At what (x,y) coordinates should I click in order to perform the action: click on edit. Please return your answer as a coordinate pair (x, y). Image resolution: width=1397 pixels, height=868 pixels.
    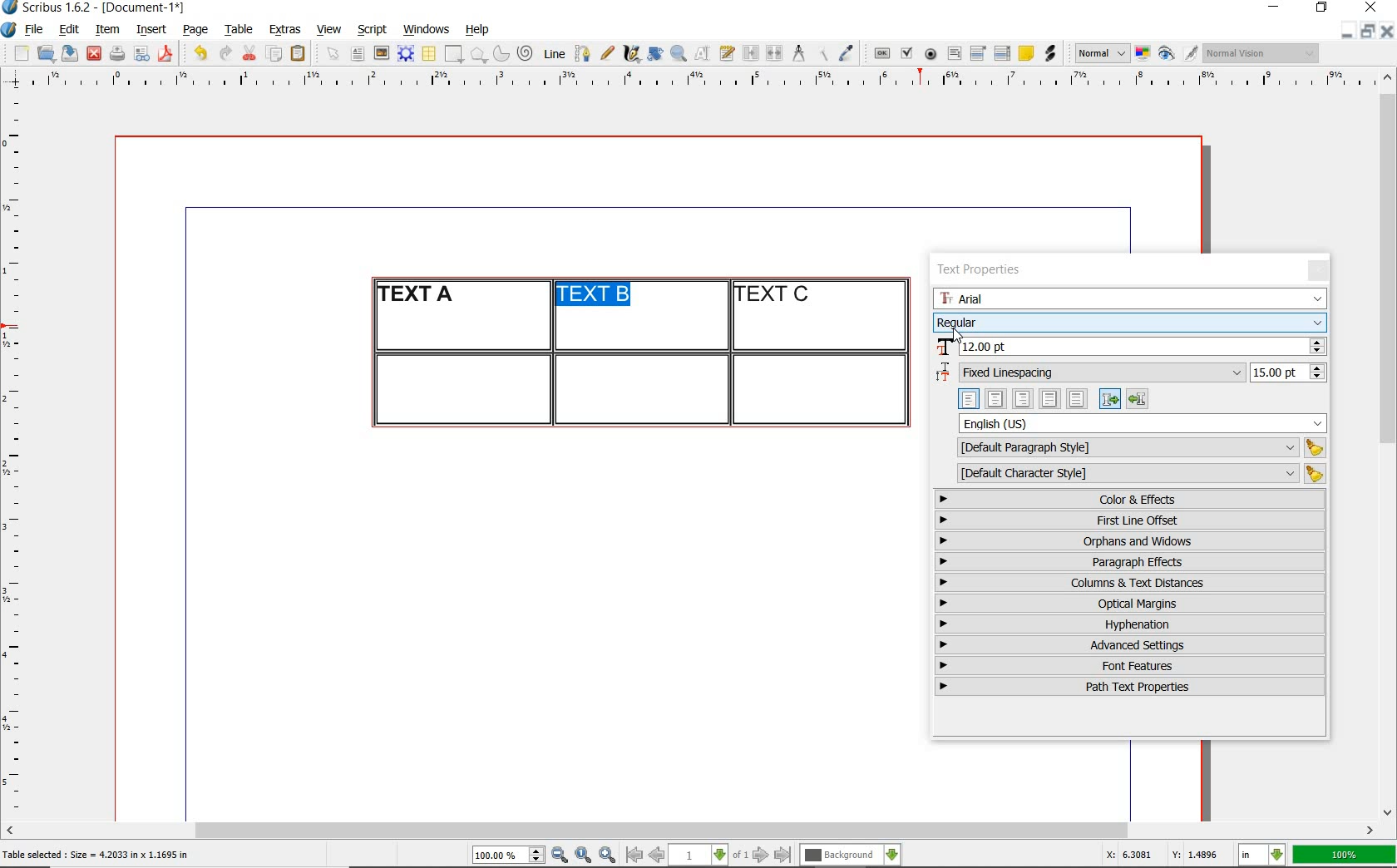
    Looking at the image, I should click on (70, 29).